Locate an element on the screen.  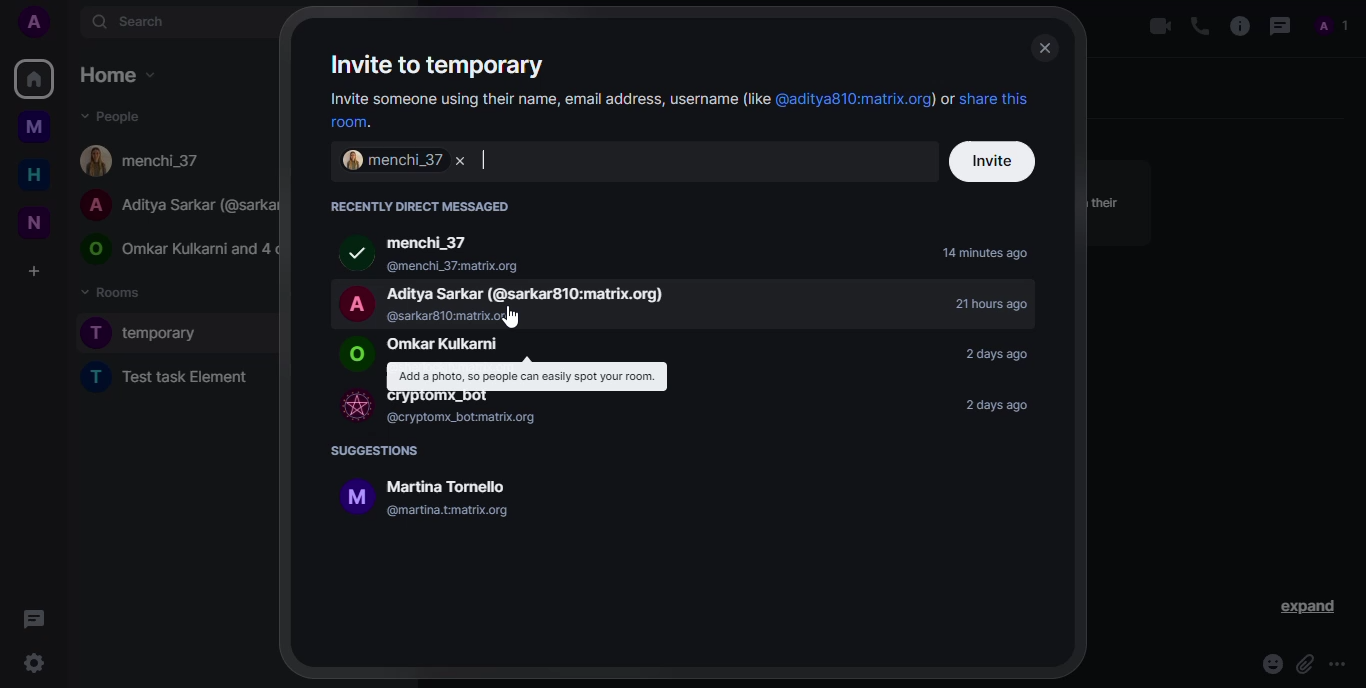
create a space is located at coordinates (34, 270).